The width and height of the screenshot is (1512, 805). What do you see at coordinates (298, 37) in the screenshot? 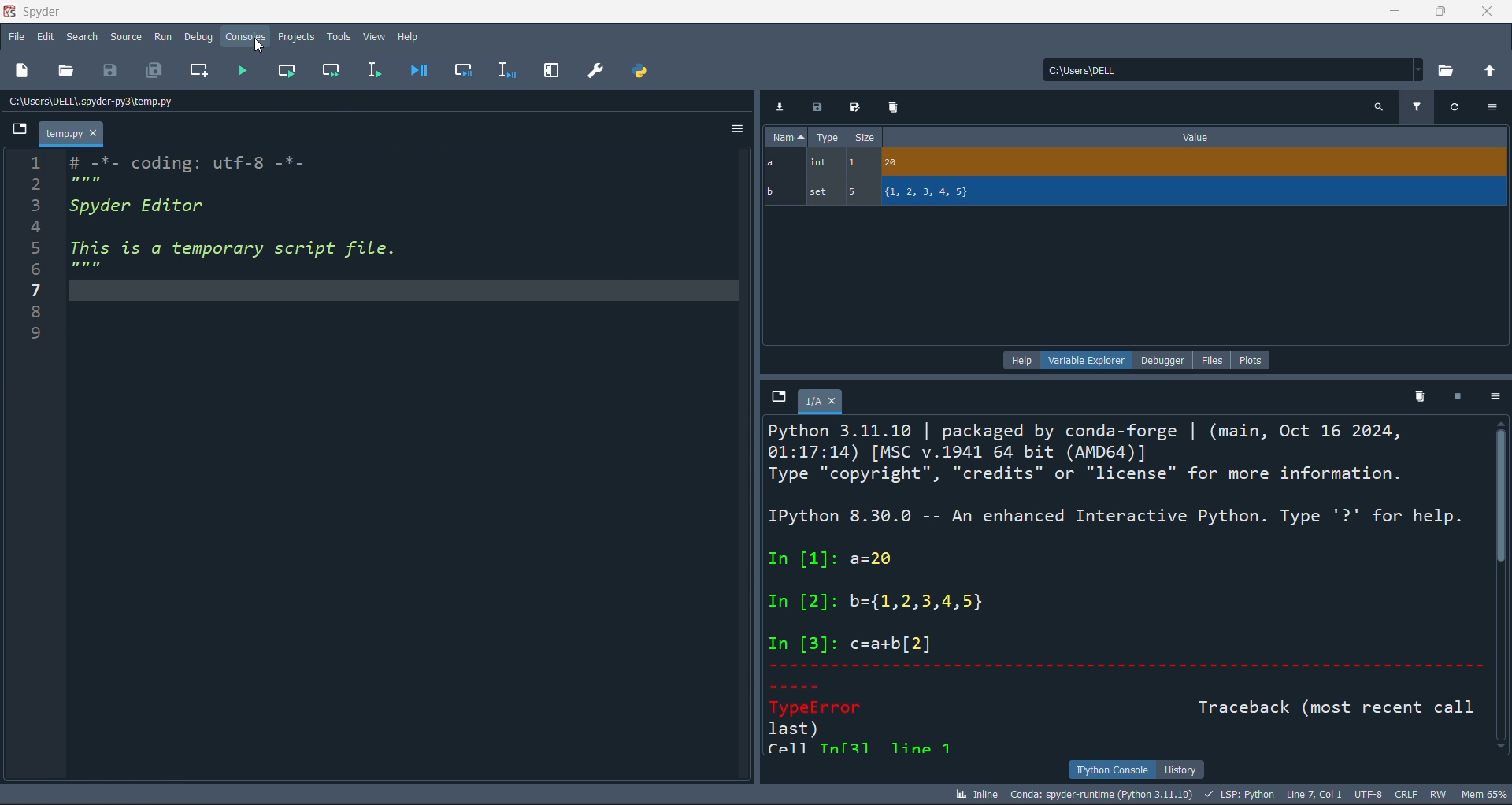
I see `Projects` at bounding box center [298, 37].